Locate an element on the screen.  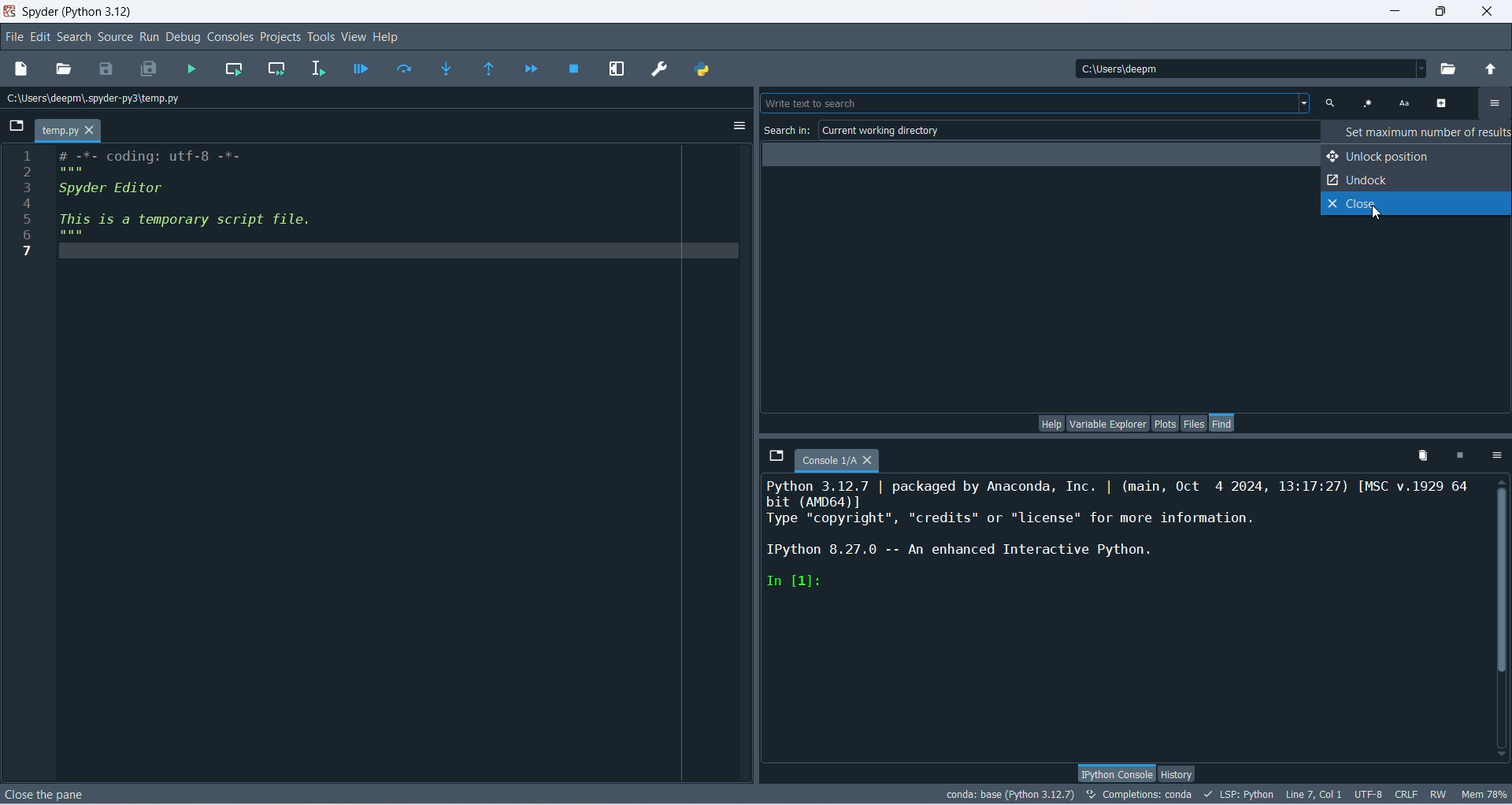
edit is located at coordinates (39, 37).